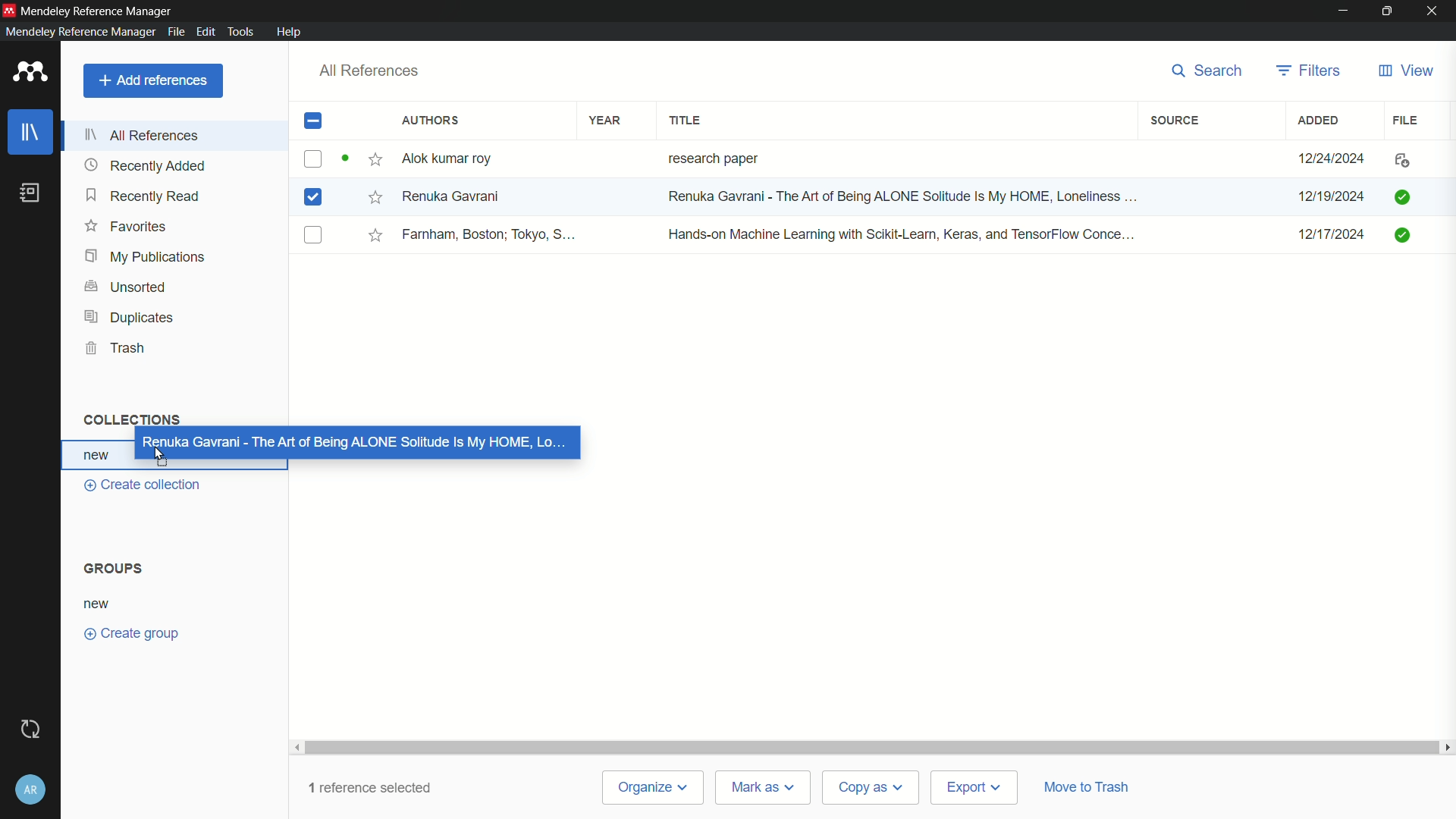 The width and height of the screenshot is (1456, 819). Describe the element at coordinates (131, 421) in the screenshot. I see `collections` at that location.